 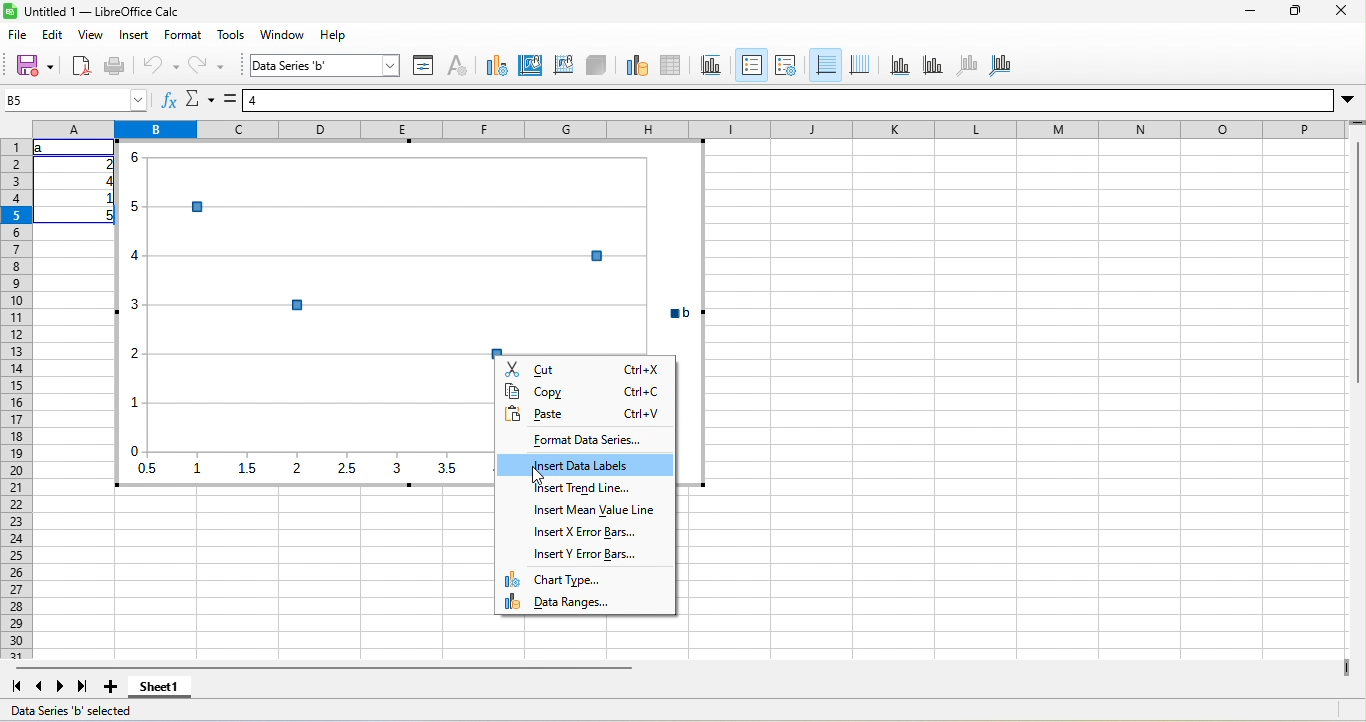 I want to click on view, so click(x=91, y=35).